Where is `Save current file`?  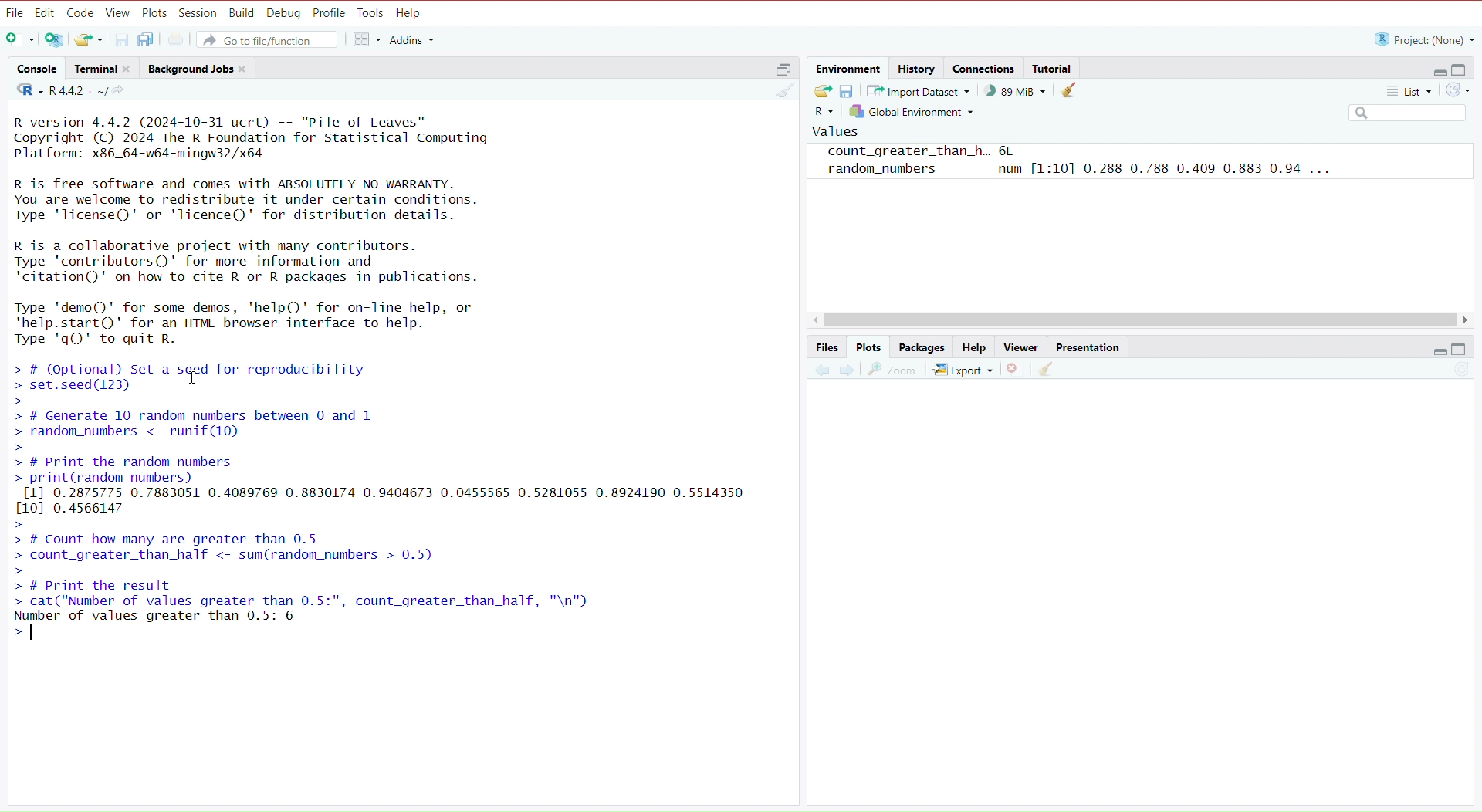
Save current file is located at coordinates (120, 40).